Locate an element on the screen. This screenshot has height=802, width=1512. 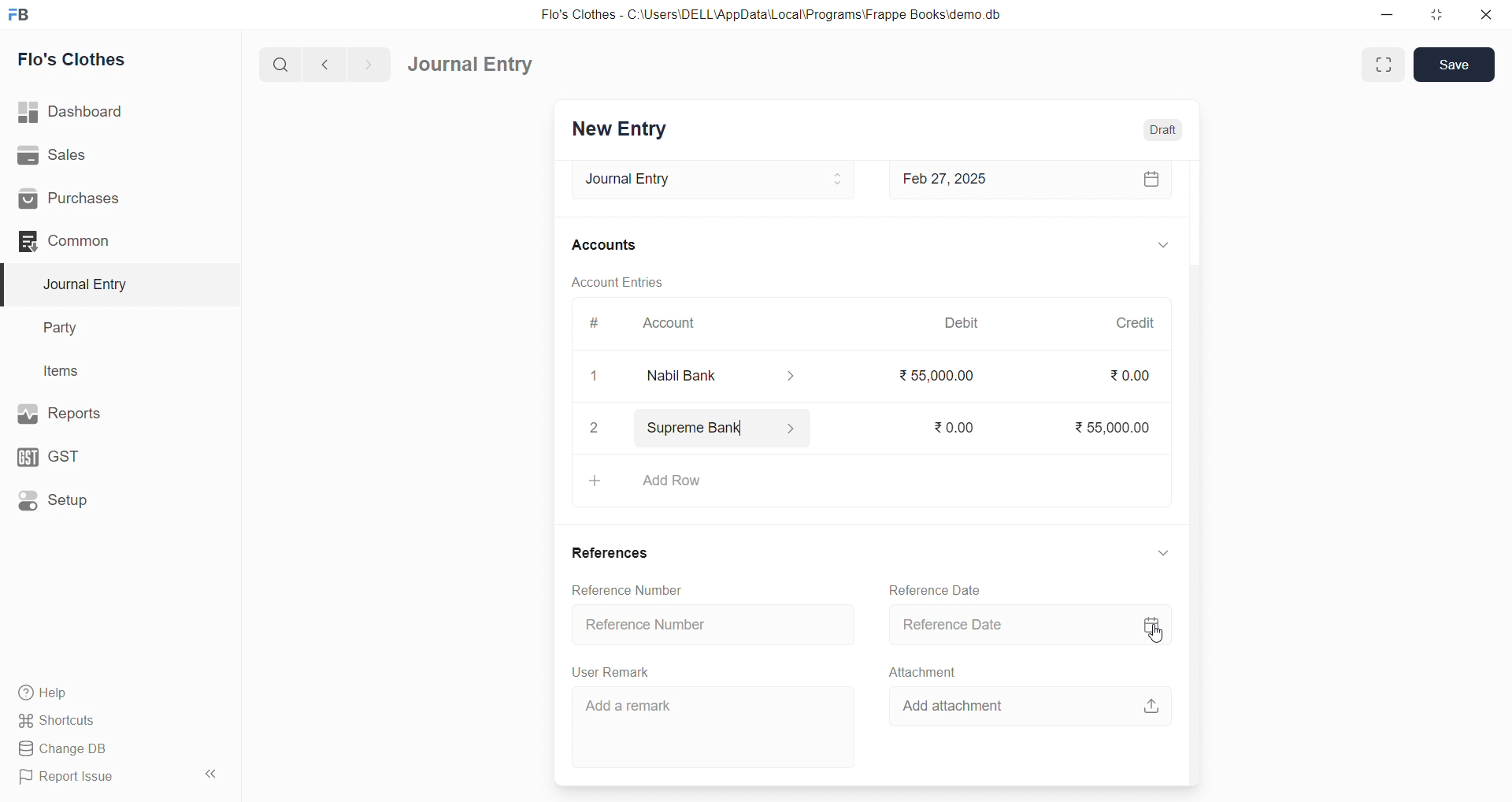
Add attachment is located at coordinates (1028, 704).